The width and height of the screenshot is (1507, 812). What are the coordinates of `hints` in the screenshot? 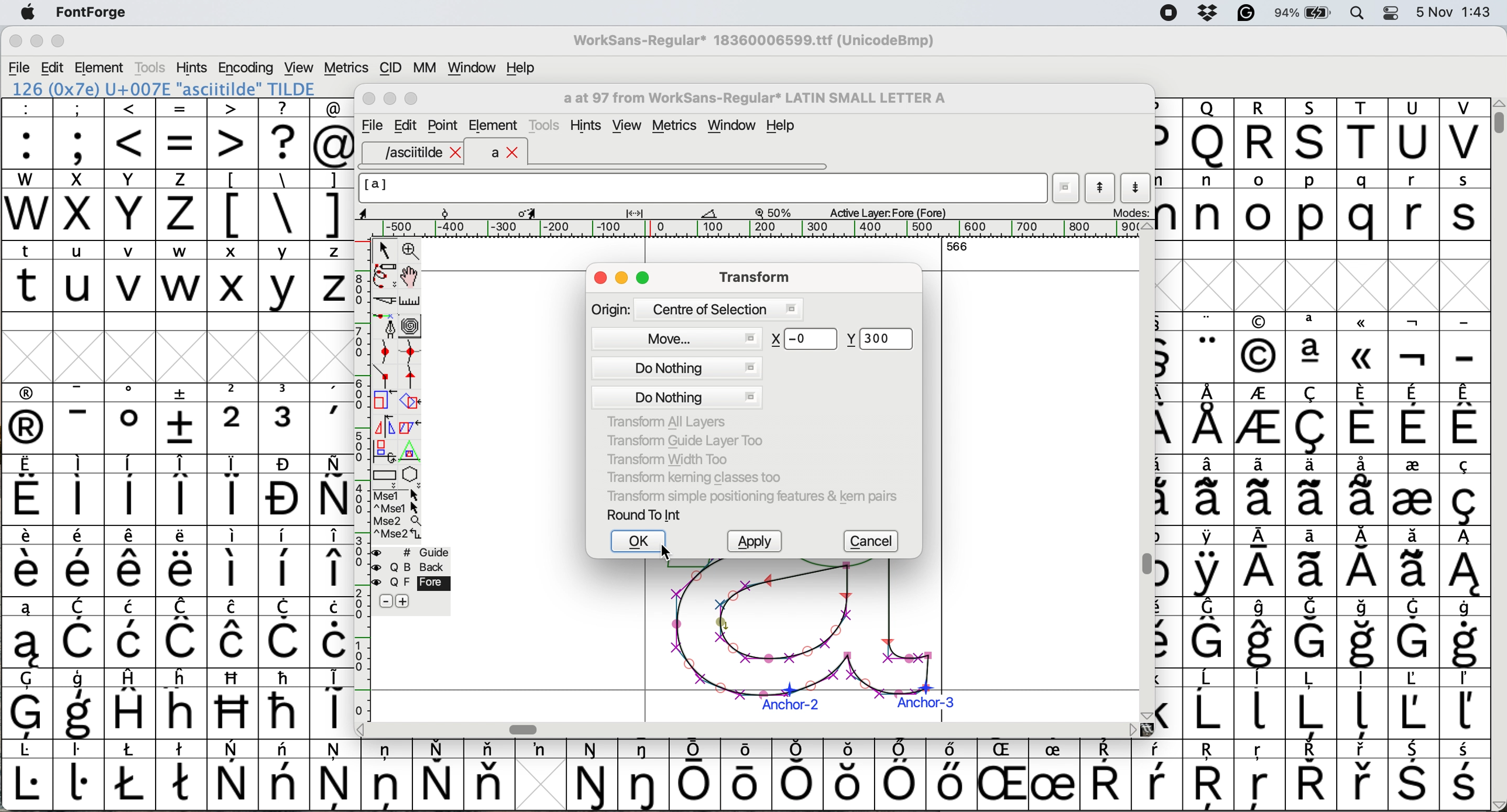 It's located at (192, 67).